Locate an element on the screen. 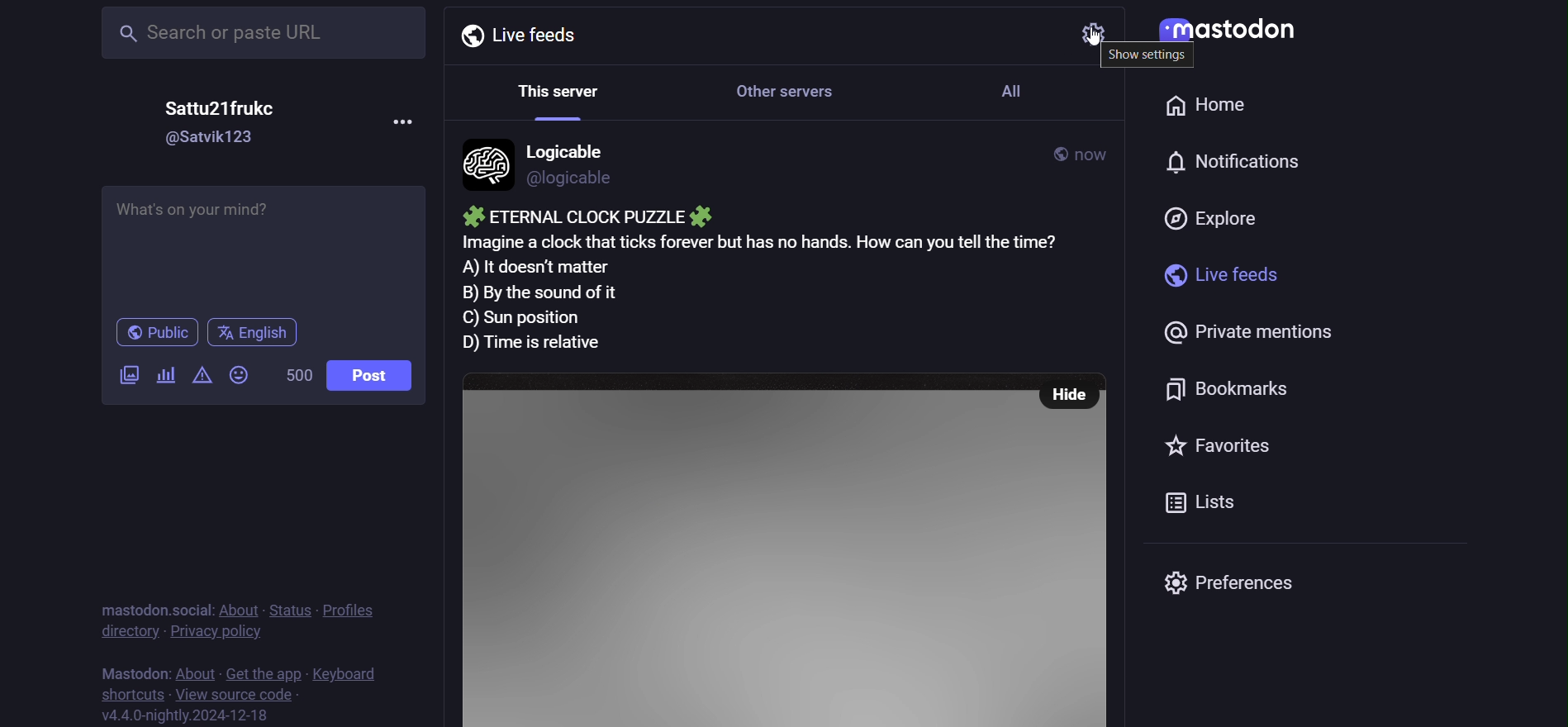  bookmark is located at coordinates (1238, 385).